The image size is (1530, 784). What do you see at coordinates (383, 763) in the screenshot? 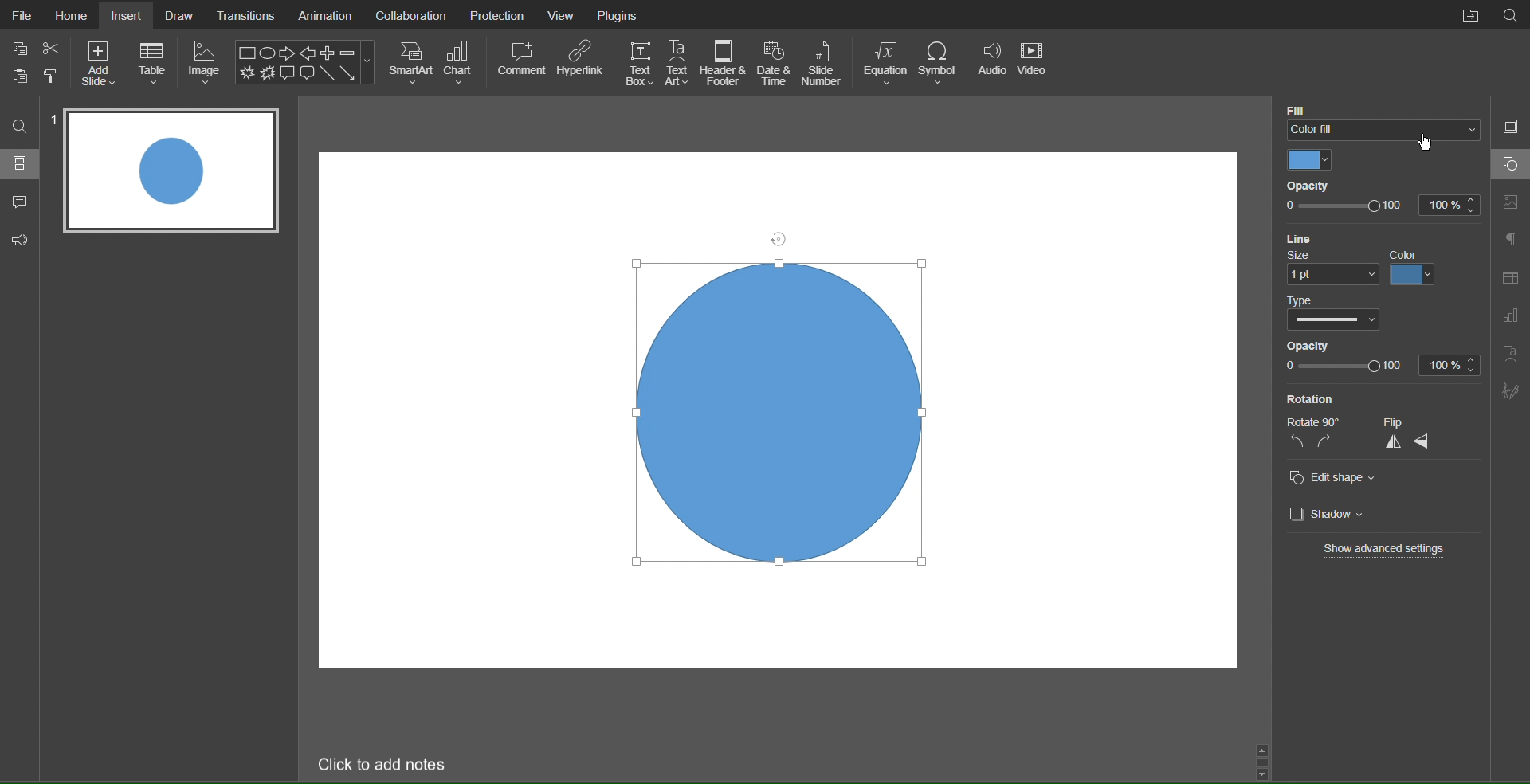
I see `Click to add notes` at bounding box center [383, 763].